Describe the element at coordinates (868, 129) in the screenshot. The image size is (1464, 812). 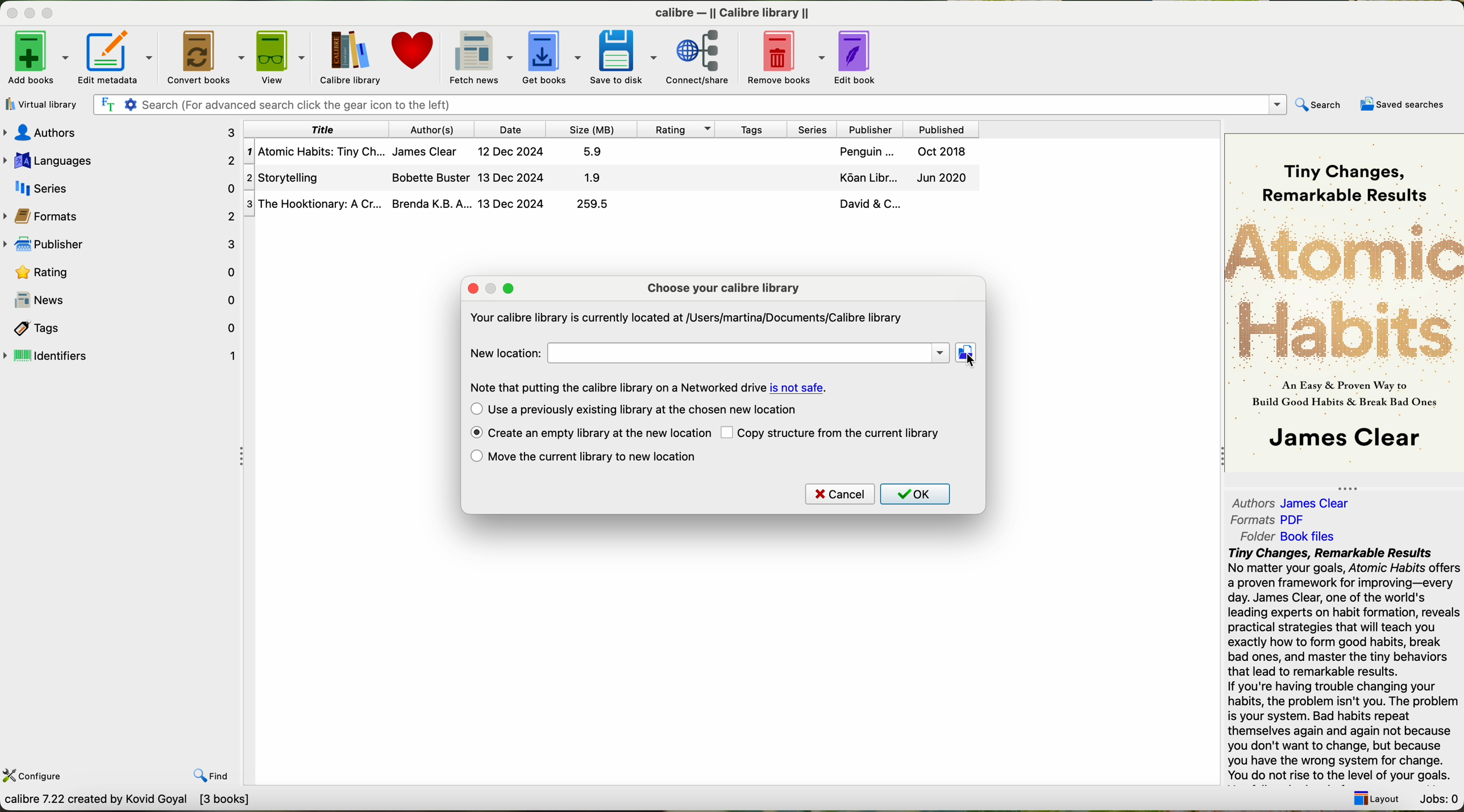
I see `publisher` at that location.